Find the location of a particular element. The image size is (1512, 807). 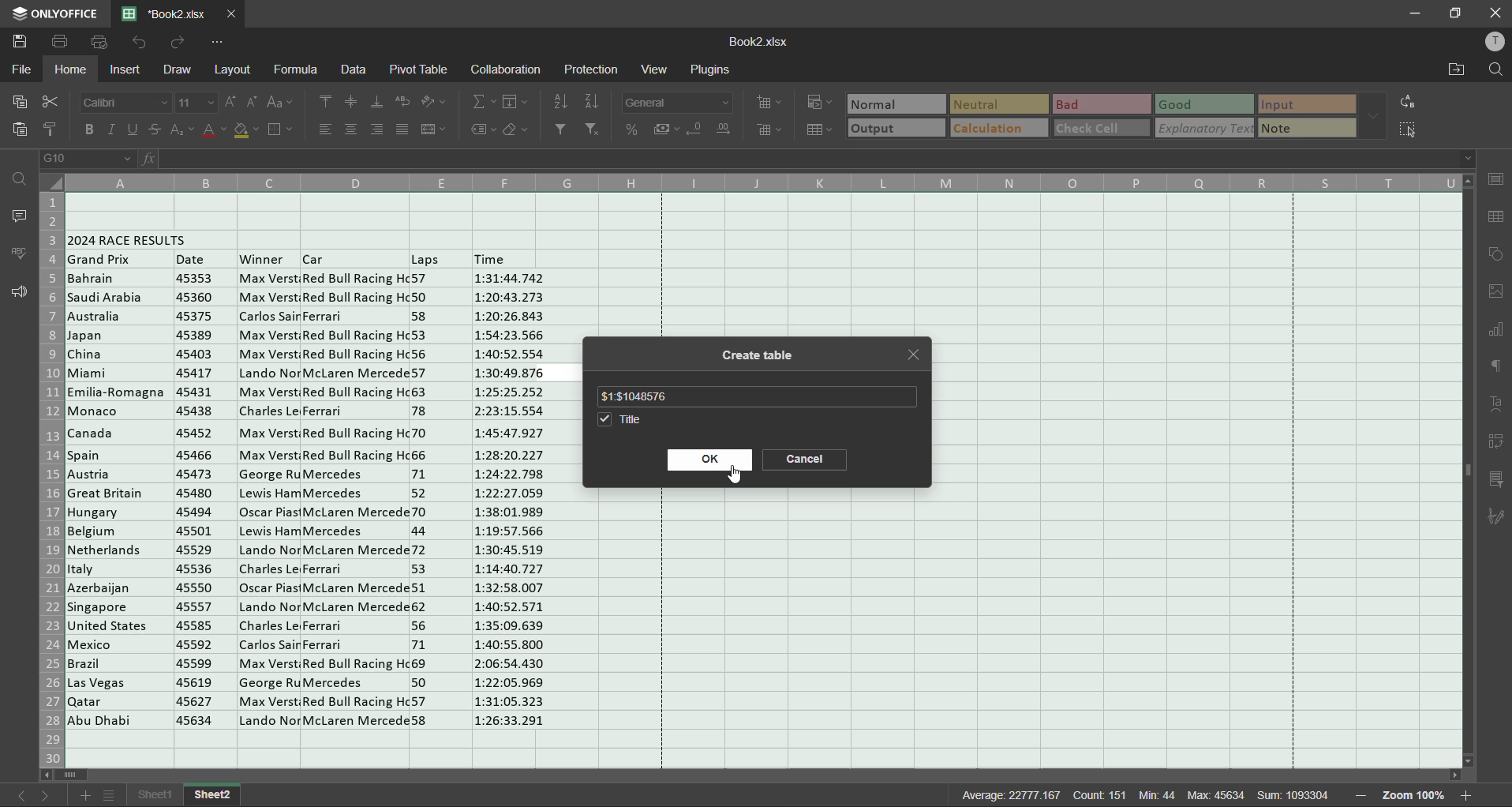

formula bar is located at coordinates (816, 160).